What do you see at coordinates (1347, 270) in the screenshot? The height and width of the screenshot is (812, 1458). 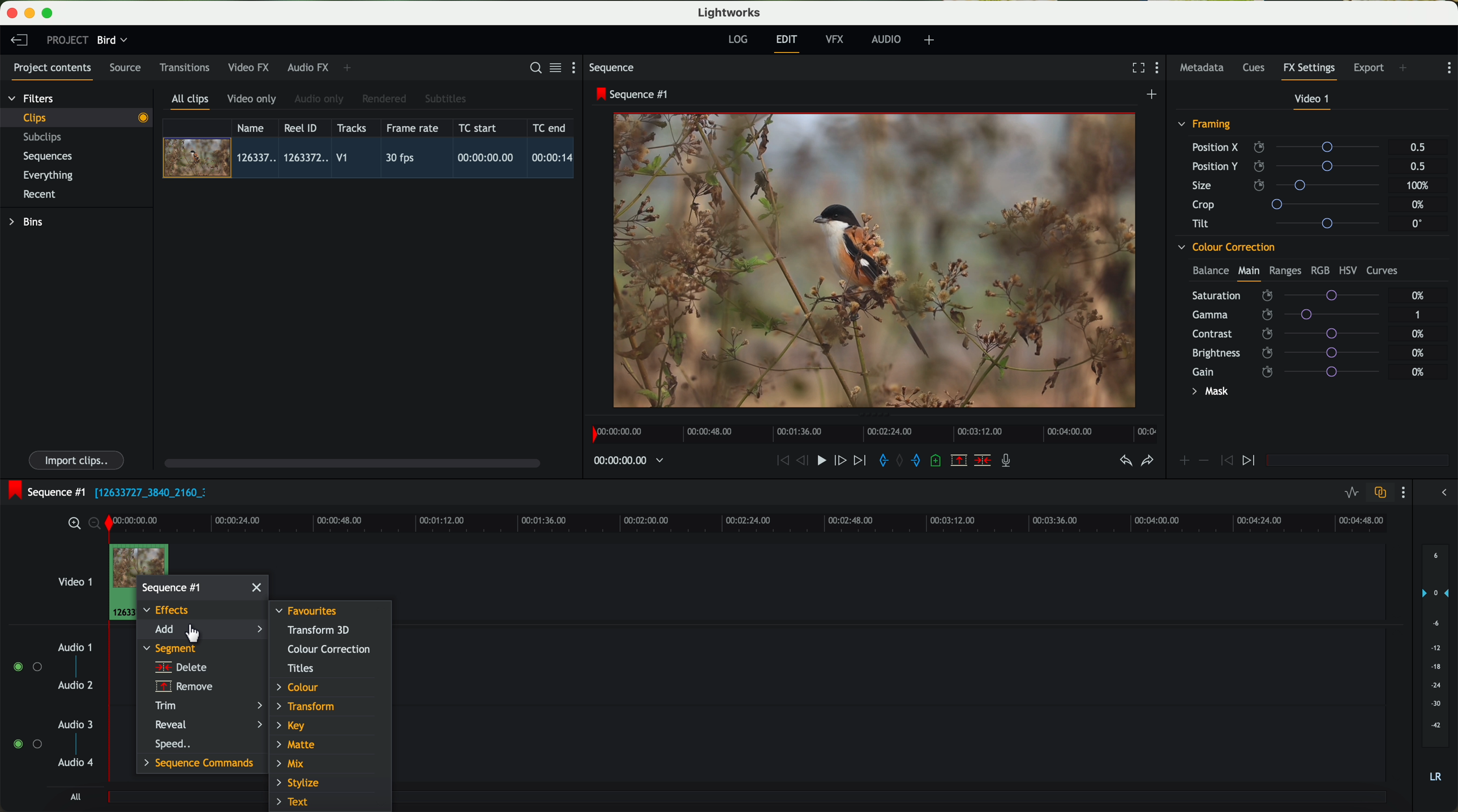 I see `HSV` at bounding box center [1347, 270].